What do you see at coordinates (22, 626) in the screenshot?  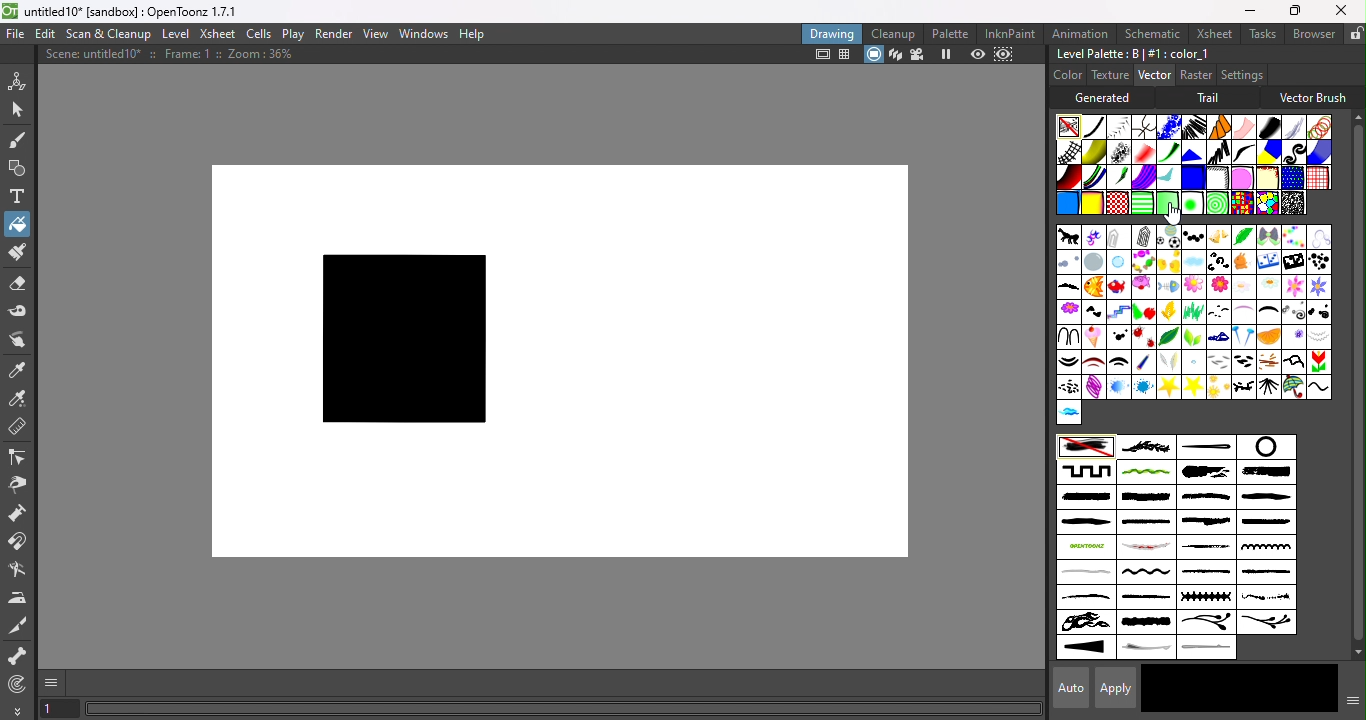 I see `Cutter tool` at bounding box center [22, 626].